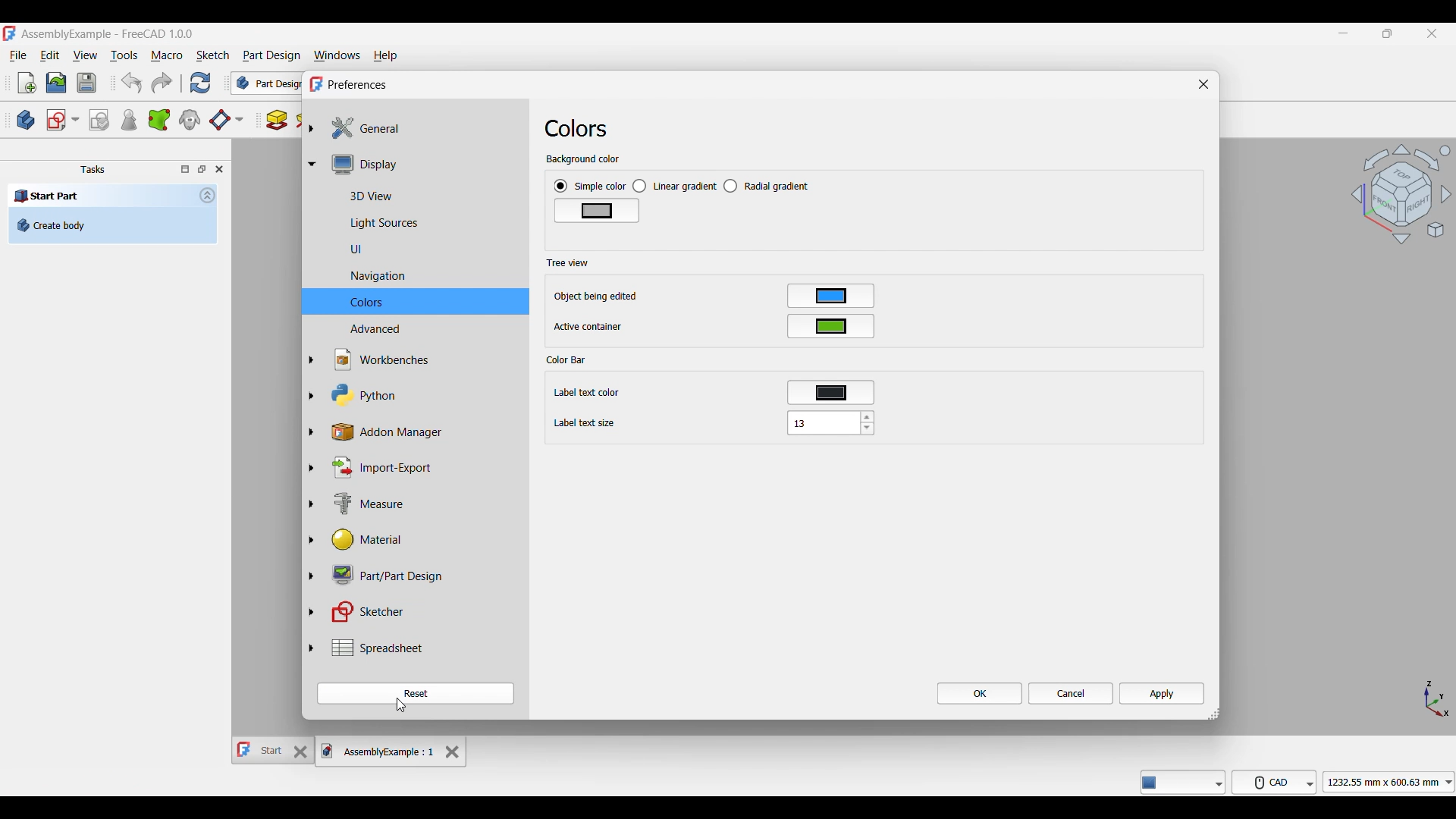  What do you see at coordinates (453, 752) in the screenshot?
I see `Close tab` at bounding box center [453, 752].